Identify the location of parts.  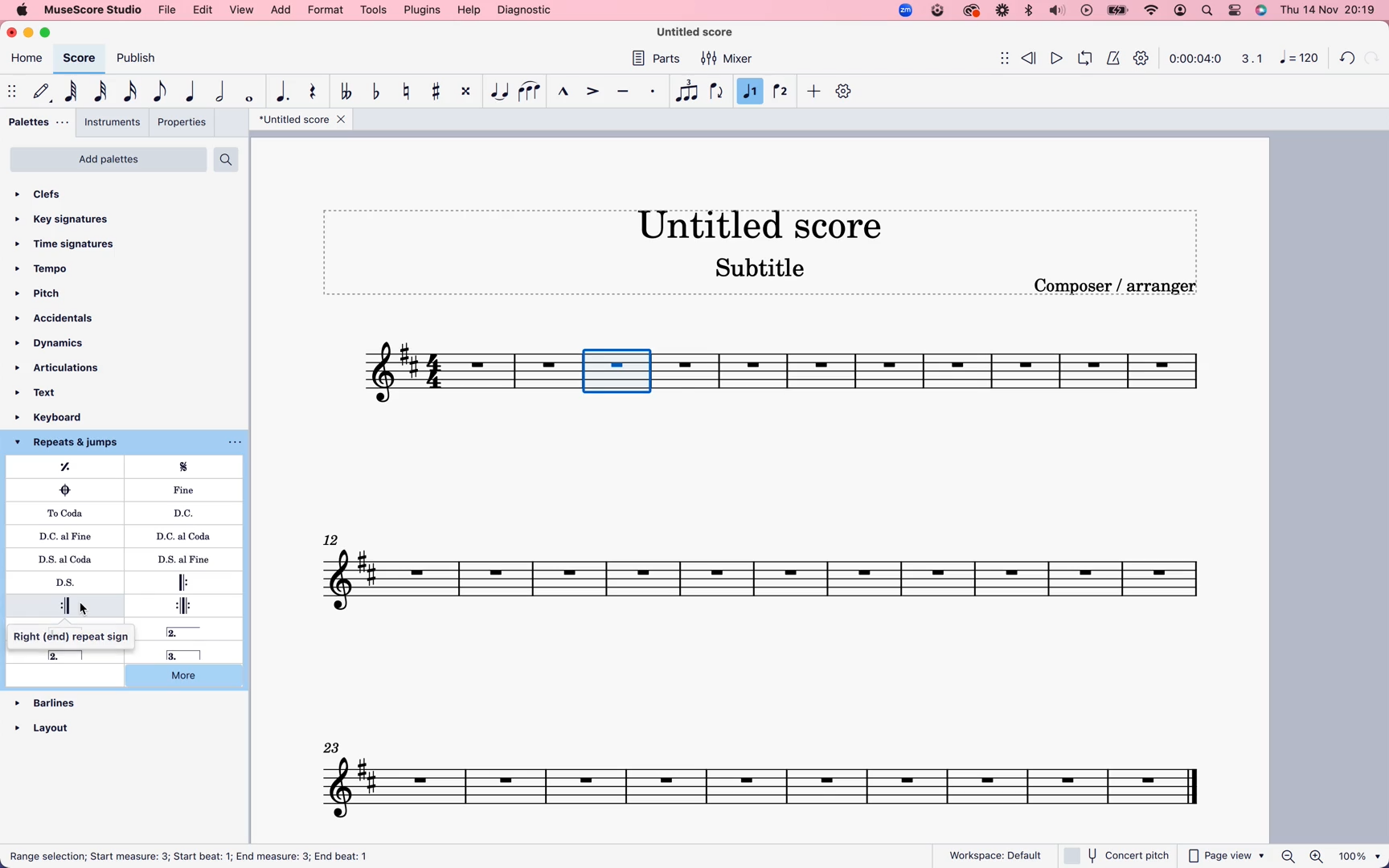
(660, 60).